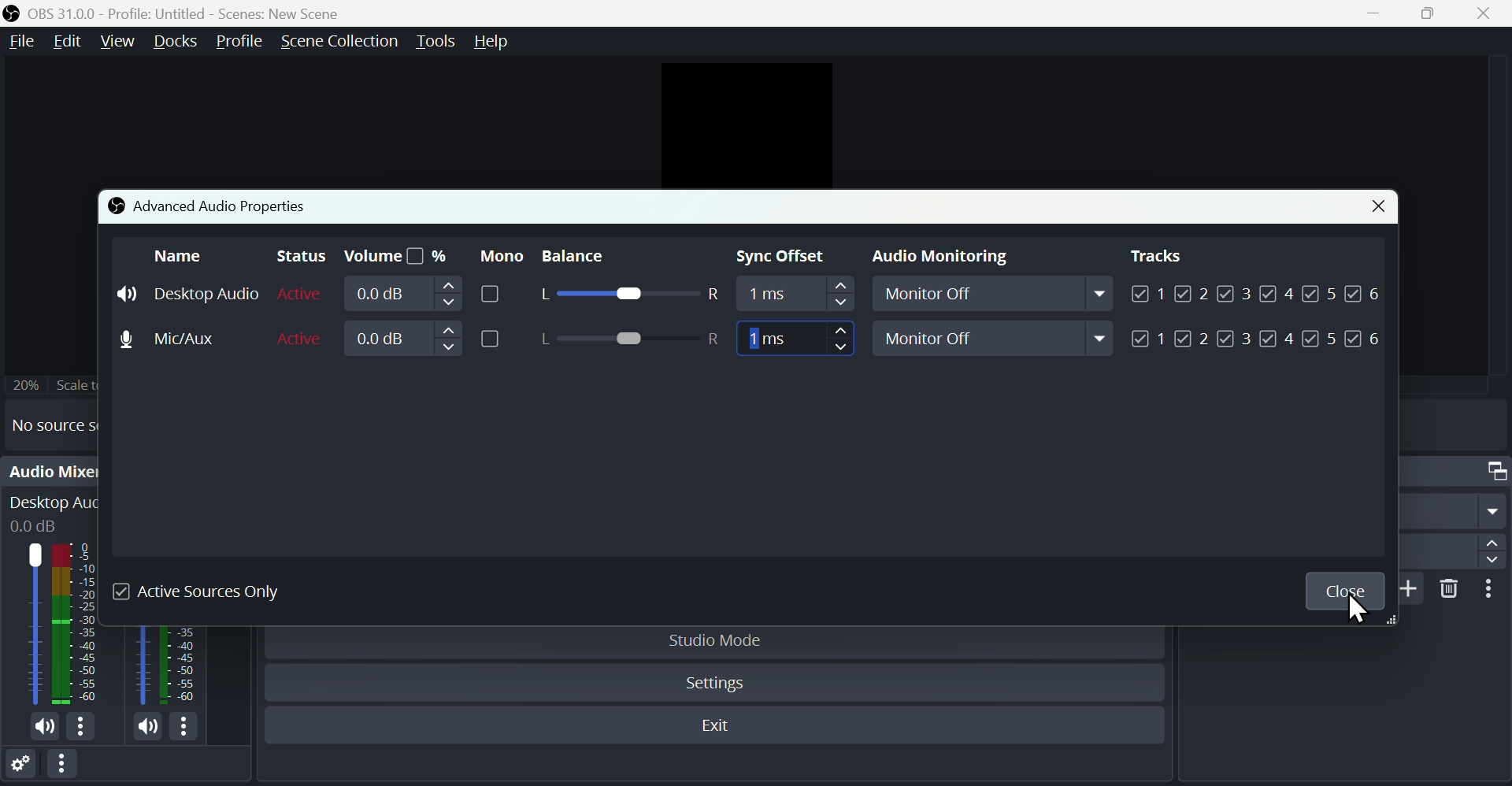 This screenshot has width=1512, height=786. Describe the element at coordinates (498, 255) in the screenshot. I see `Mono` at that location.